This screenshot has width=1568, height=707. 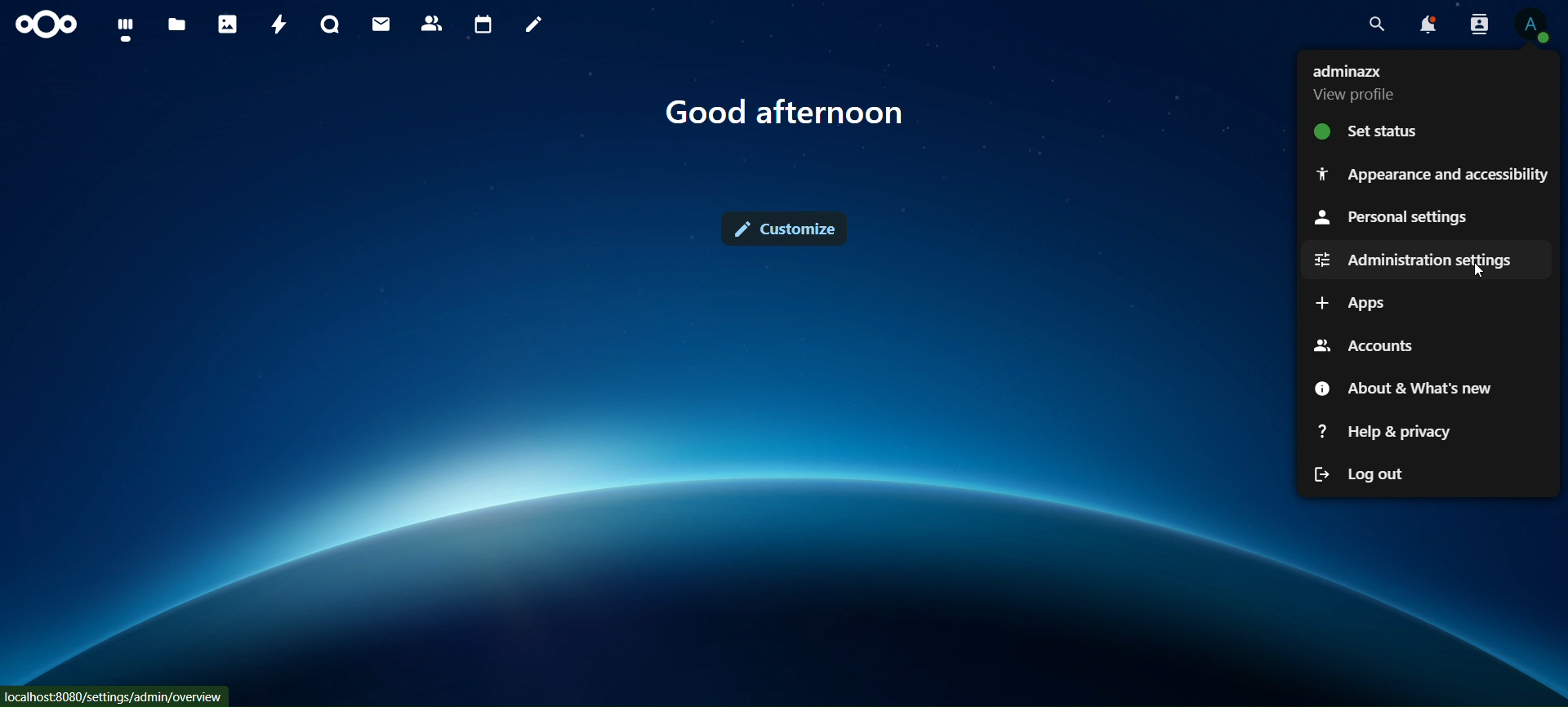 What do you see at coordinates (1477, 23) in the screenshot?
I see `search contact` at bounding box center [1477, 23].